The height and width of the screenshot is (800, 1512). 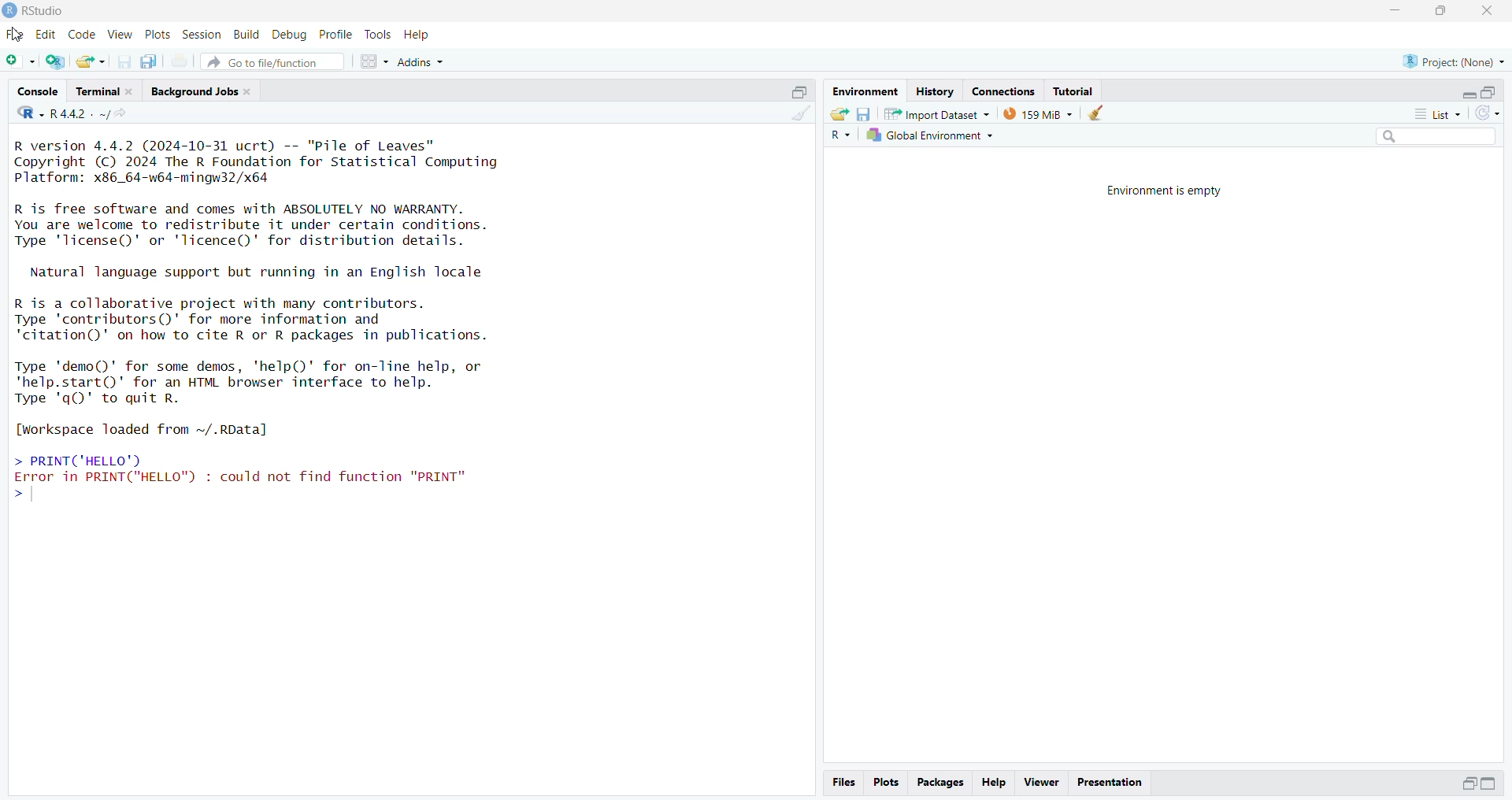 I want to click on presentation, so click(x=1110, y=781).